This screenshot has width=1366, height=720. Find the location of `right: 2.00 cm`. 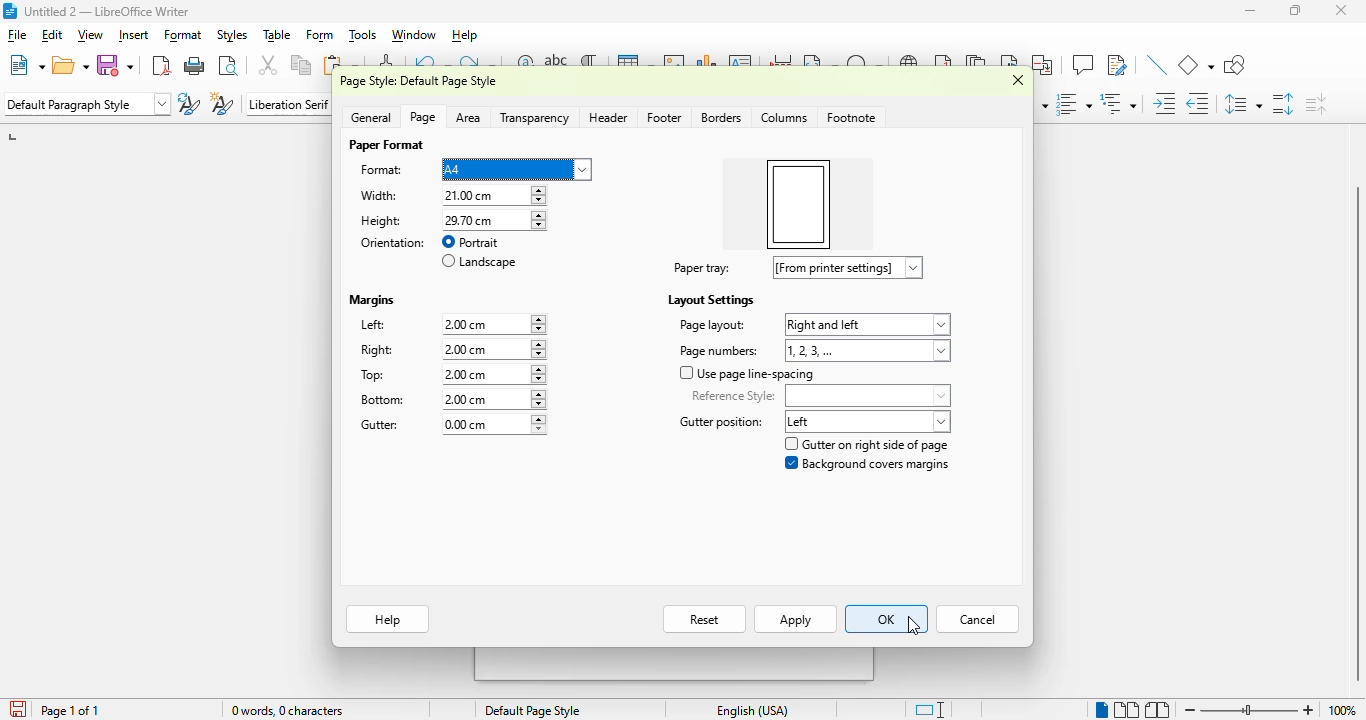

right: 2.00 cm is located at coordinates (449, 350).